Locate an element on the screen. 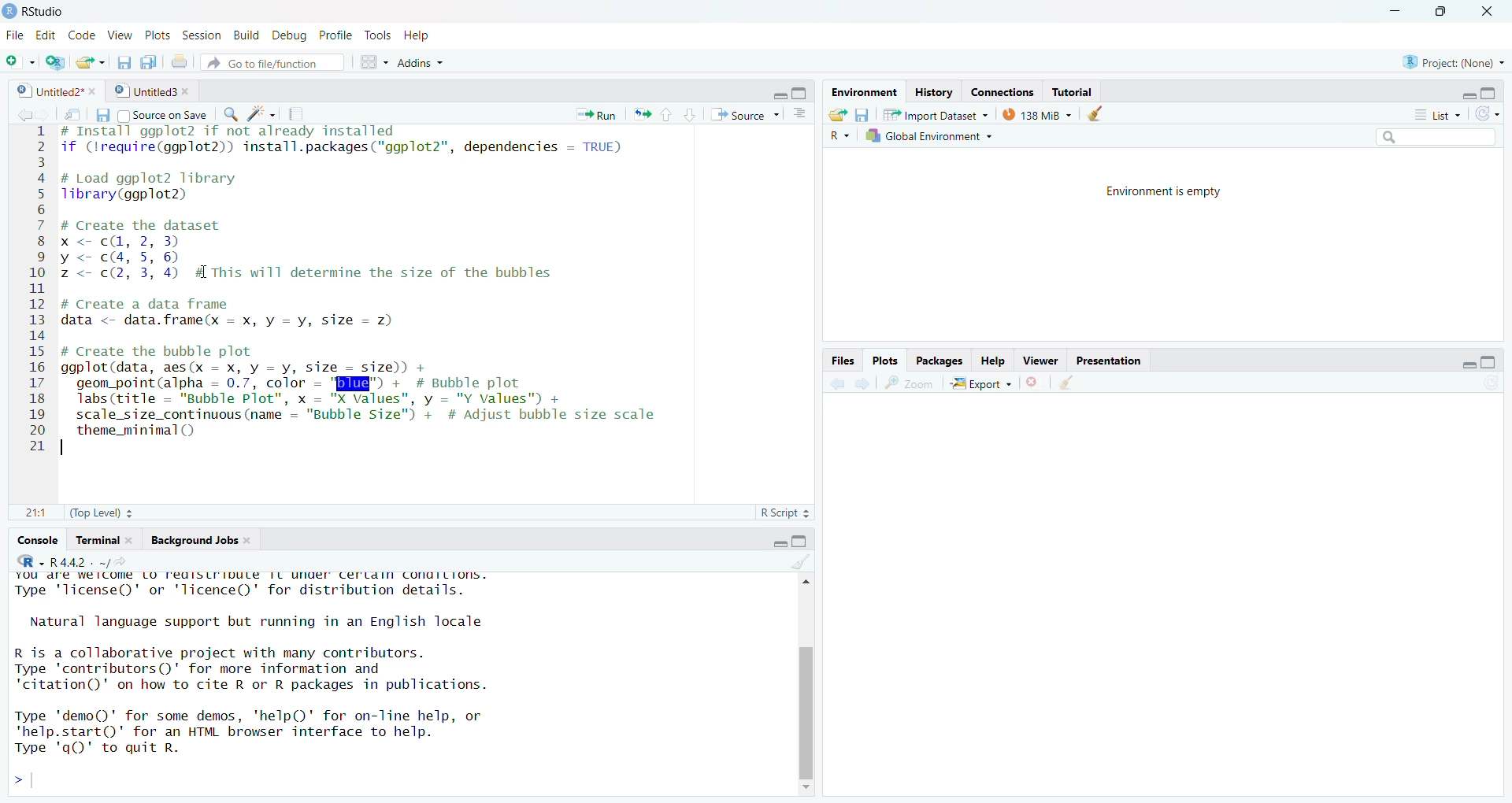  R Script  is located at coordinates (780, 515).